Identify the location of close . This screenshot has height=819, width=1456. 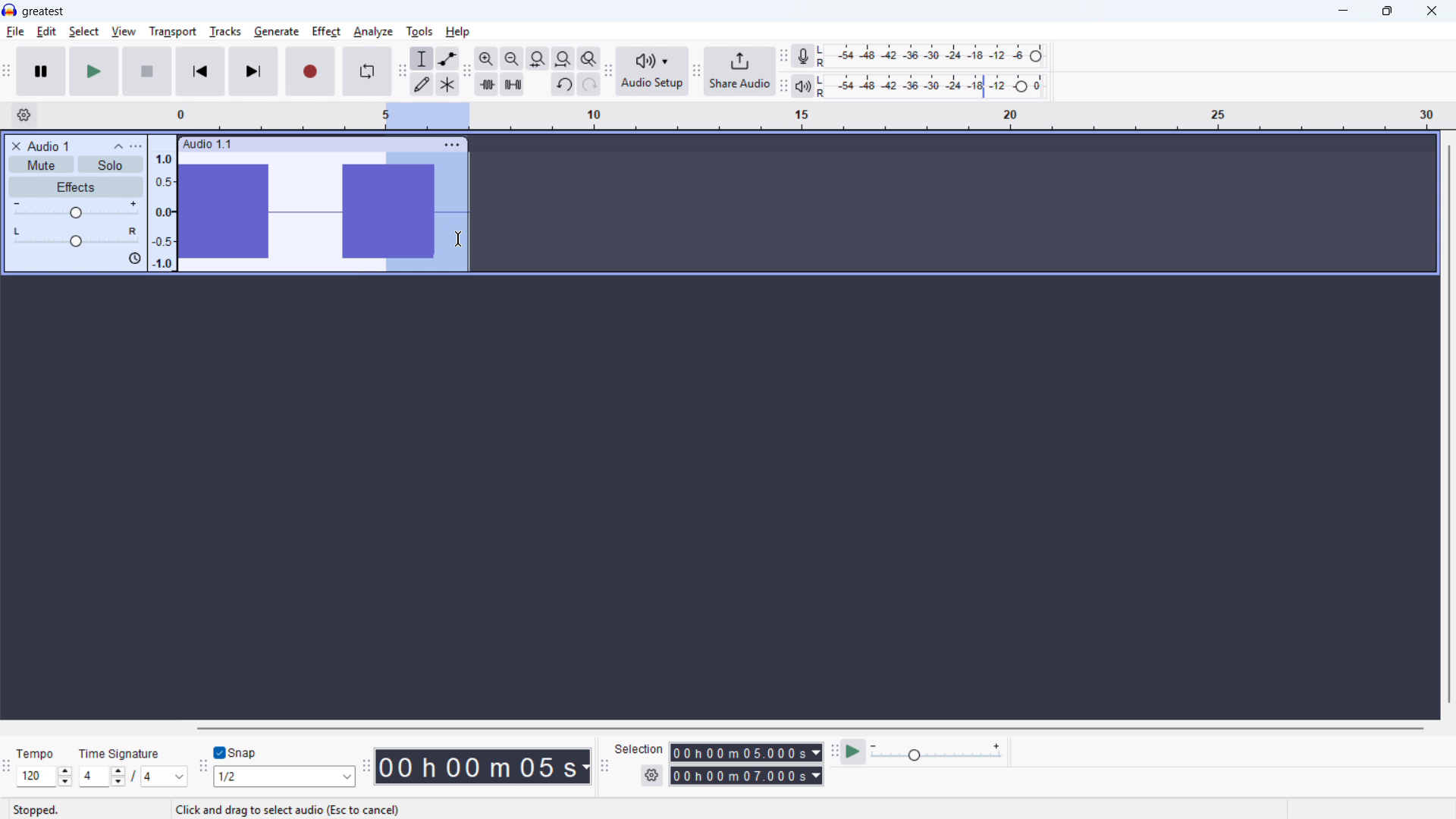
(1431, 11).